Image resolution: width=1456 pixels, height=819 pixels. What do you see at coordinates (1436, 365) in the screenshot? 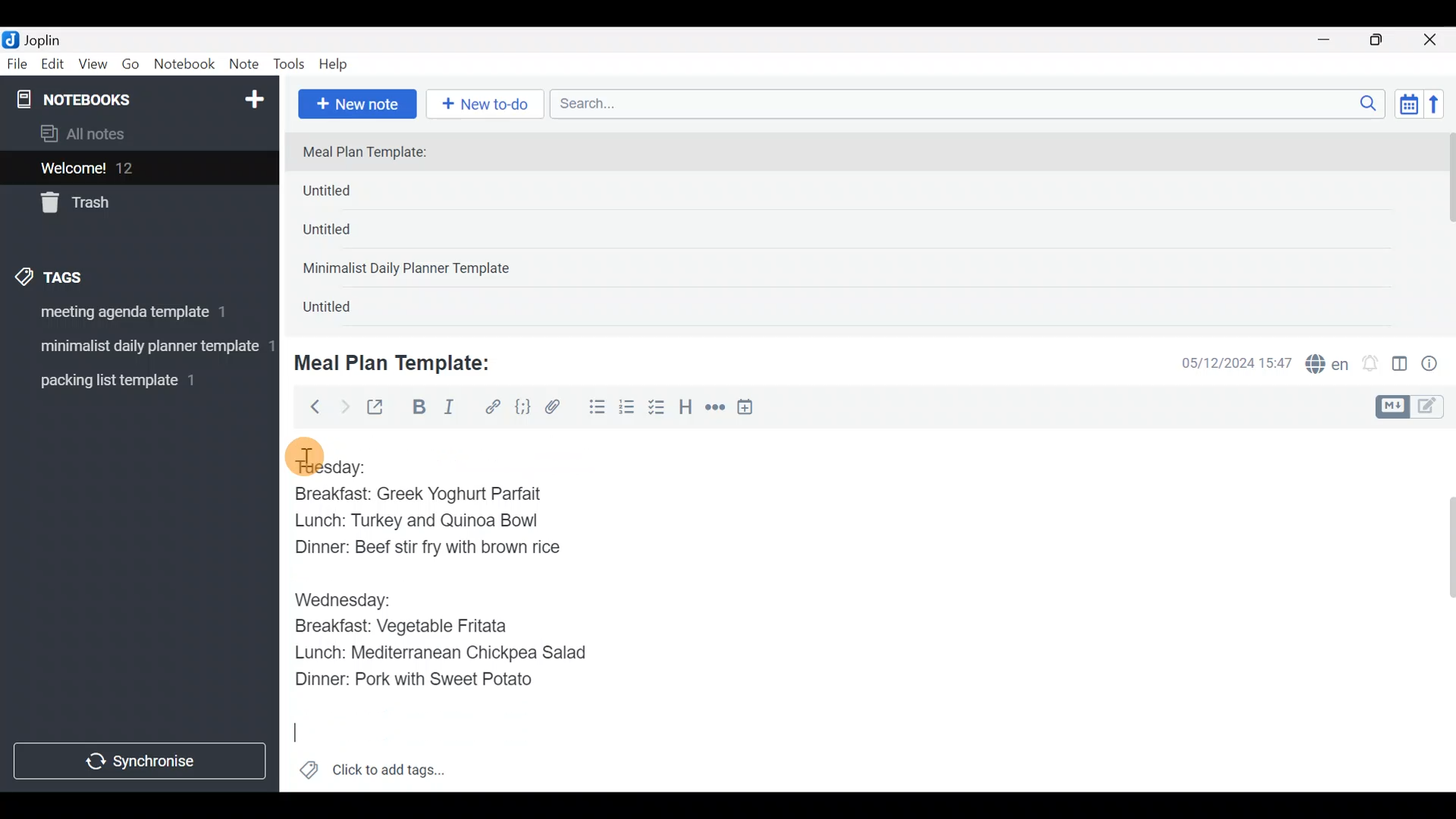
I see `Note properties` at bounding box center [1436, 365].